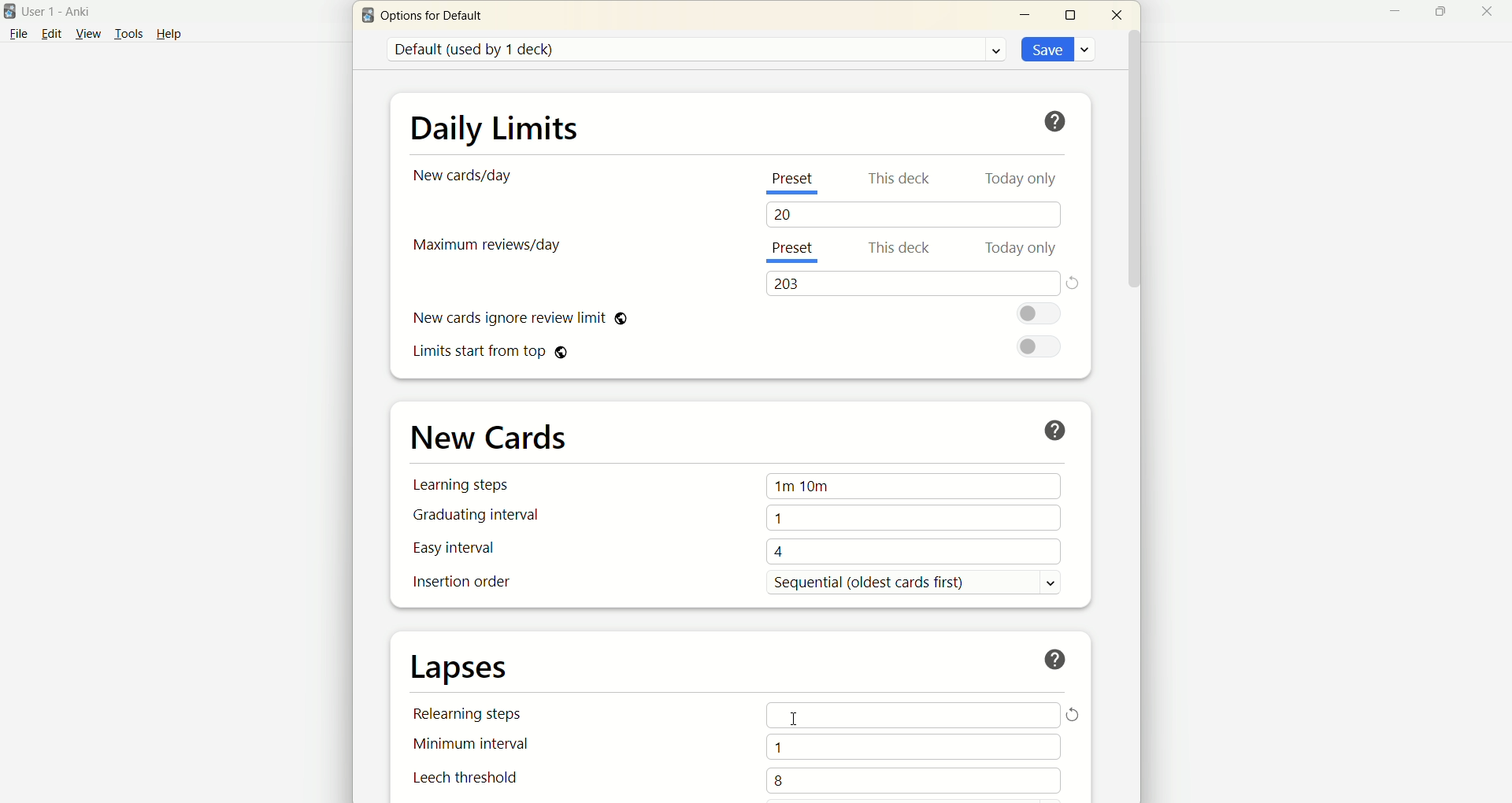 This screenshot has width=1512, height=803. What do you see at coordinates (913, 517) in the screenshot?
I see `1` at bounding box center [913, 517].